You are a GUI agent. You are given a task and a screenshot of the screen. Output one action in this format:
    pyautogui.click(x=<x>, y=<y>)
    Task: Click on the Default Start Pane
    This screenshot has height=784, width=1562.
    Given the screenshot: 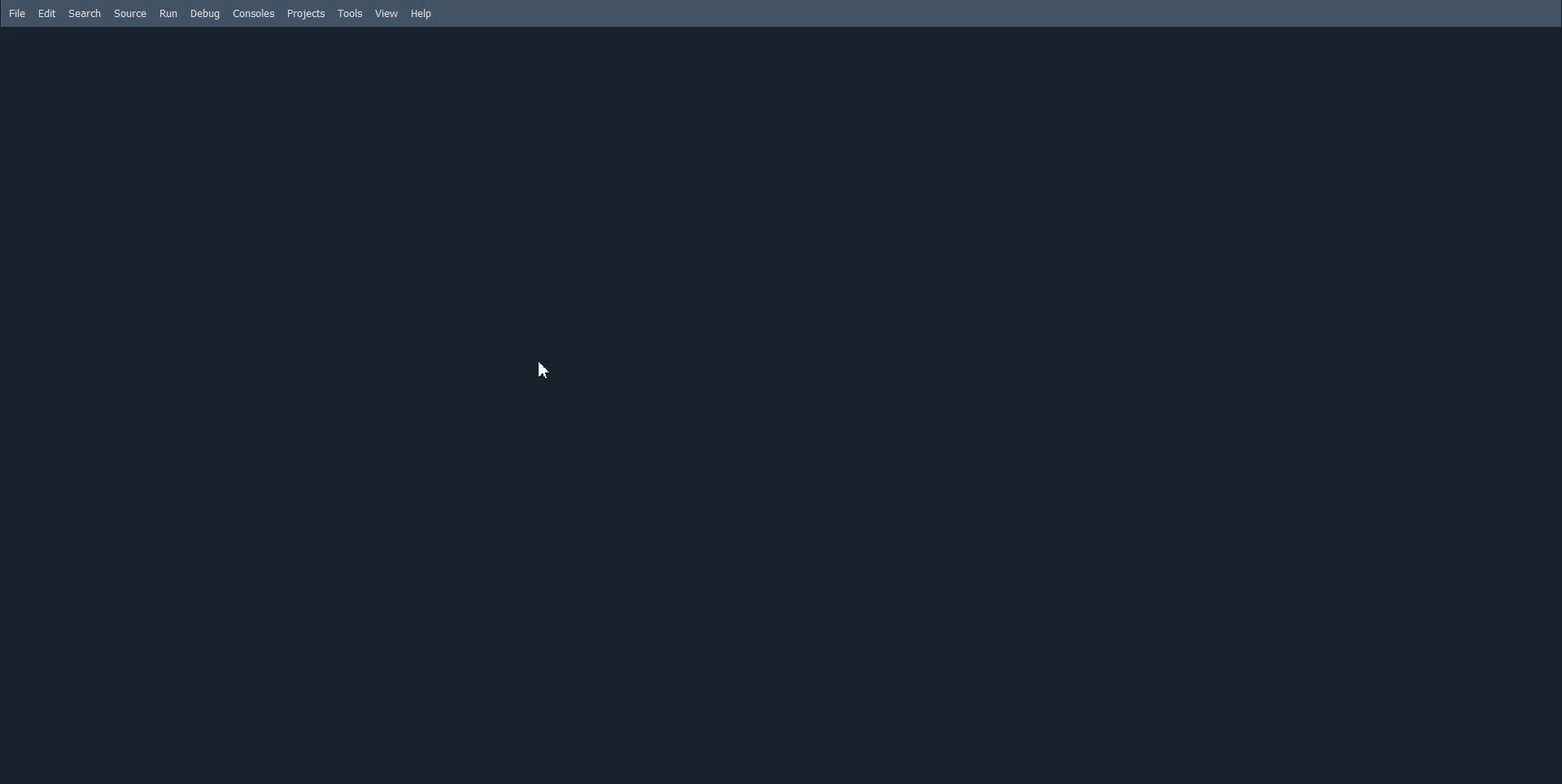 What is the action you would take?
    pyautogui.click(x=783, y=407)
    